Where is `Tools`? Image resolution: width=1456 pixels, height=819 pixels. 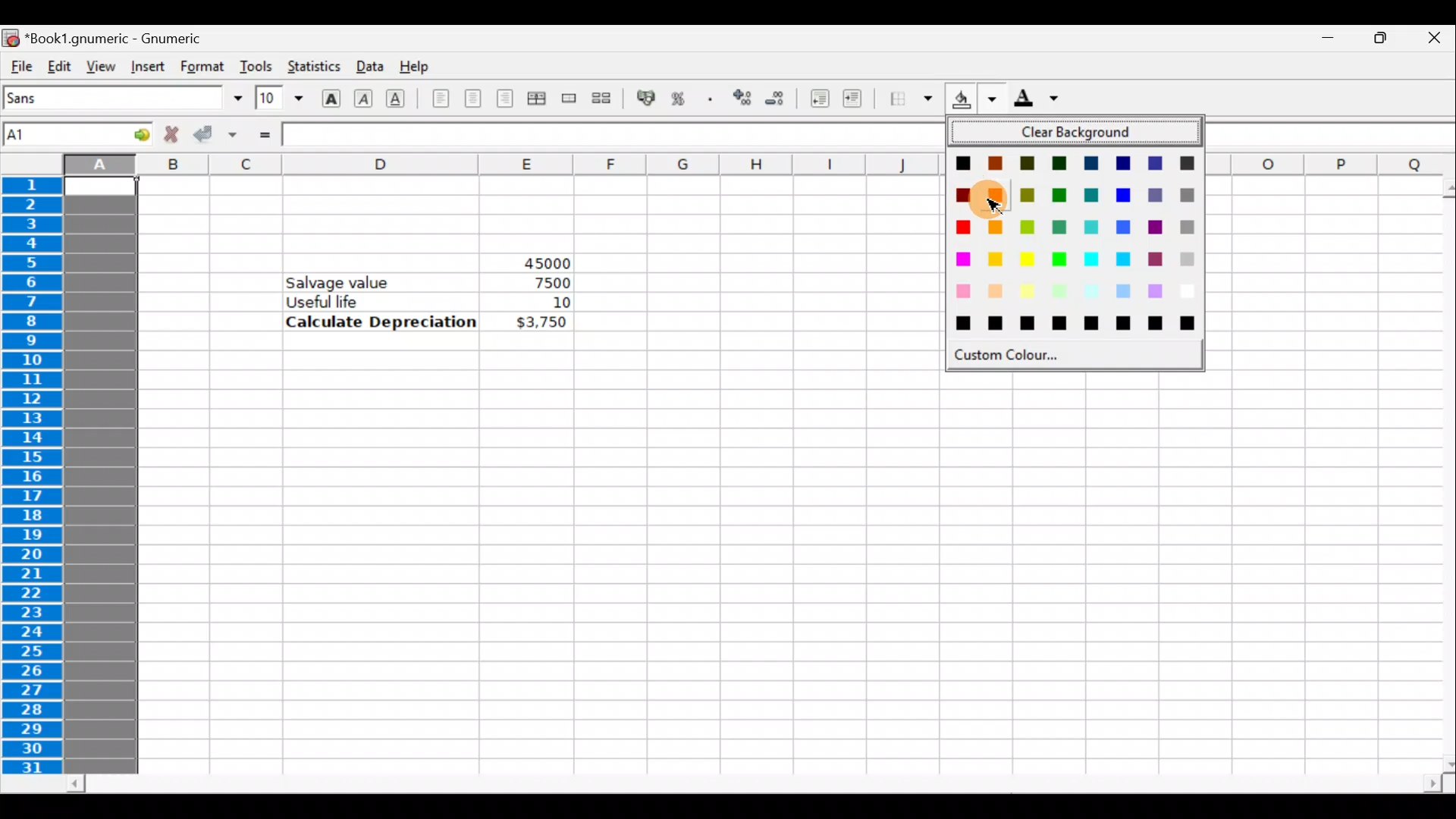
Tools is located at coordinates (256, 66).